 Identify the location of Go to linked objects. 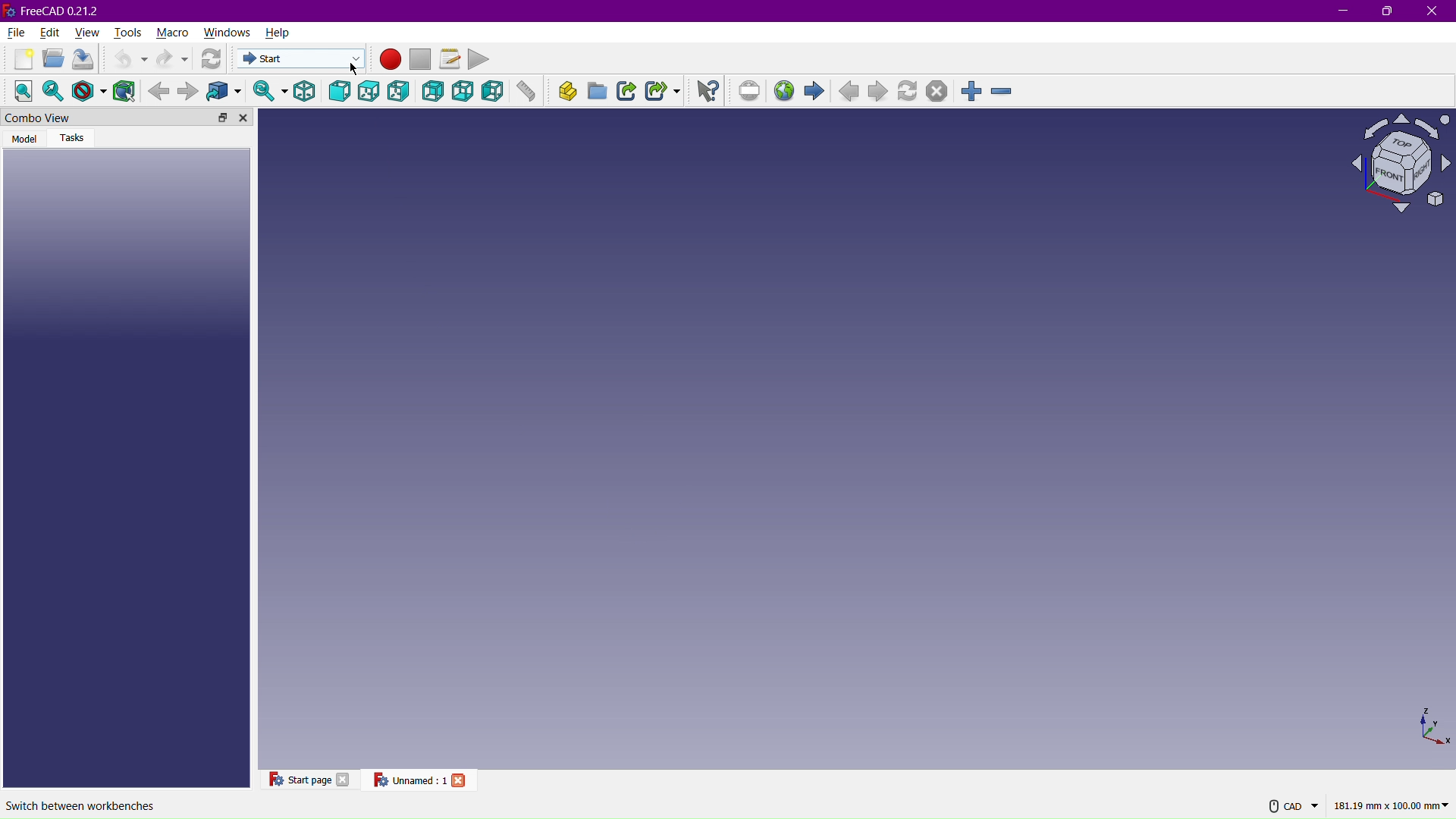
(224, 89).